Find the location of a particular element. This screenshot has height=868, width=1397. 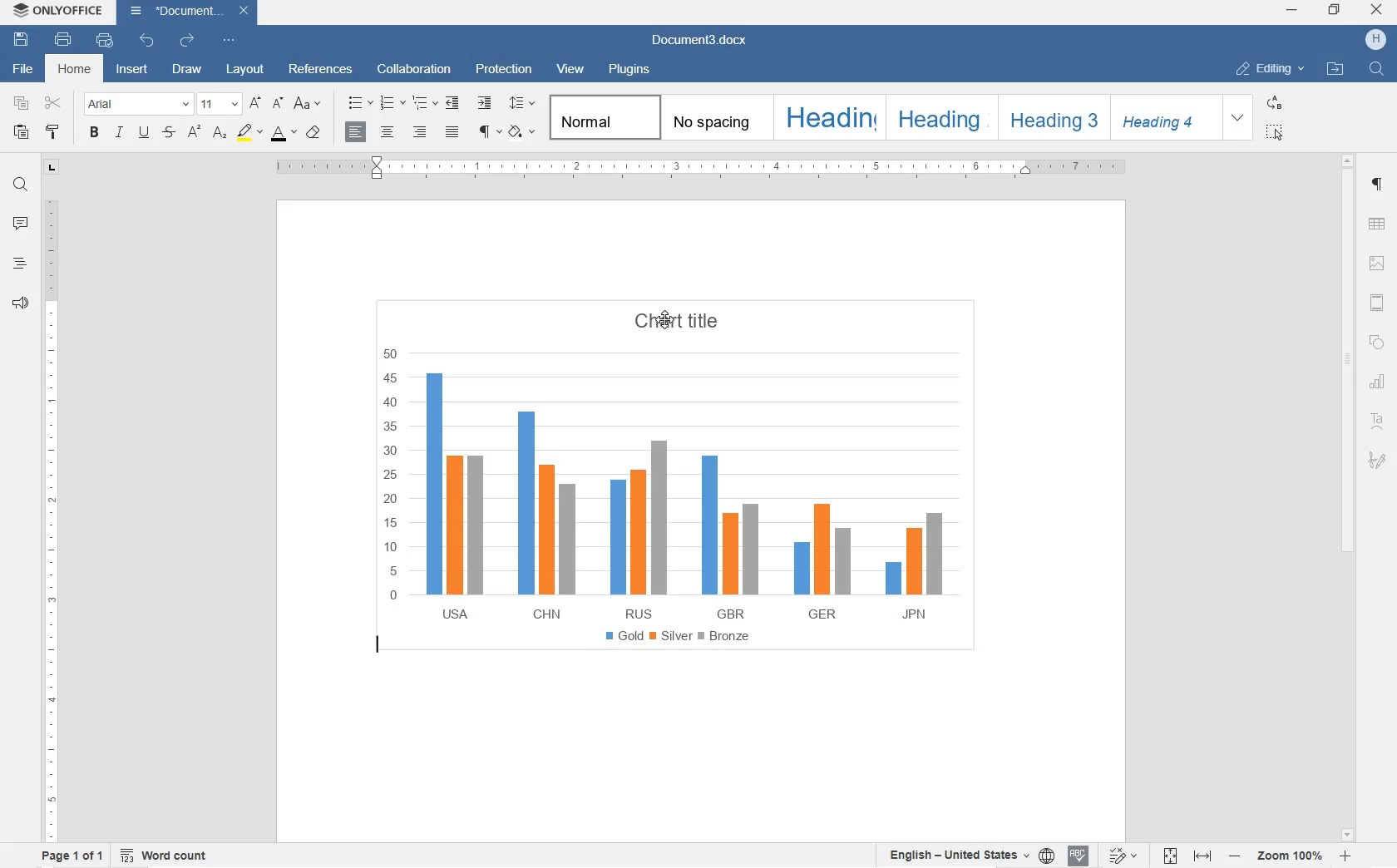

COPY STYLE is located at coordinates (53, 133).